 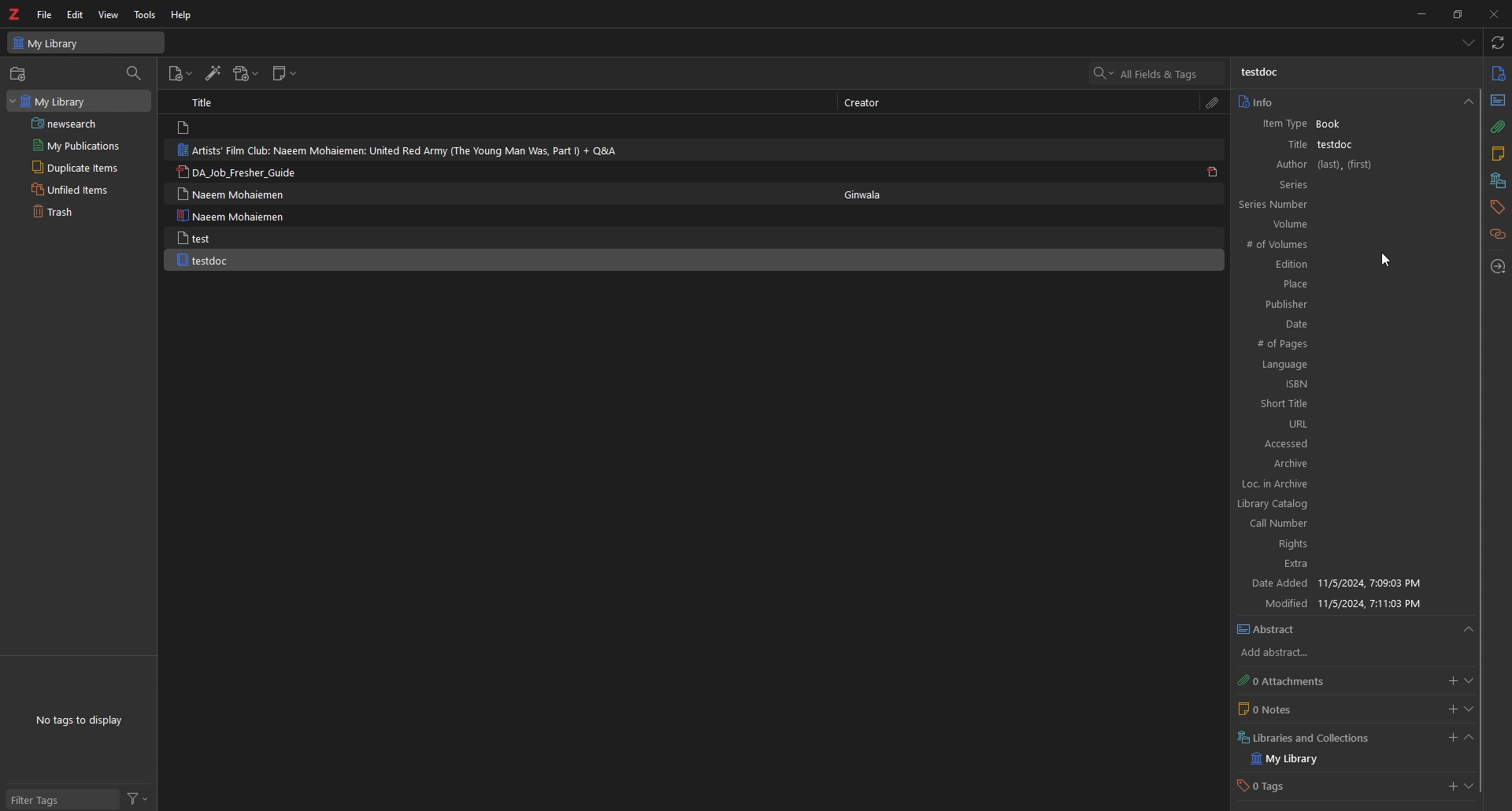 What do you see at coordinates (1280, 651) in the screenshot?
I see `Add abstract` at bounding box center [1280, 651].